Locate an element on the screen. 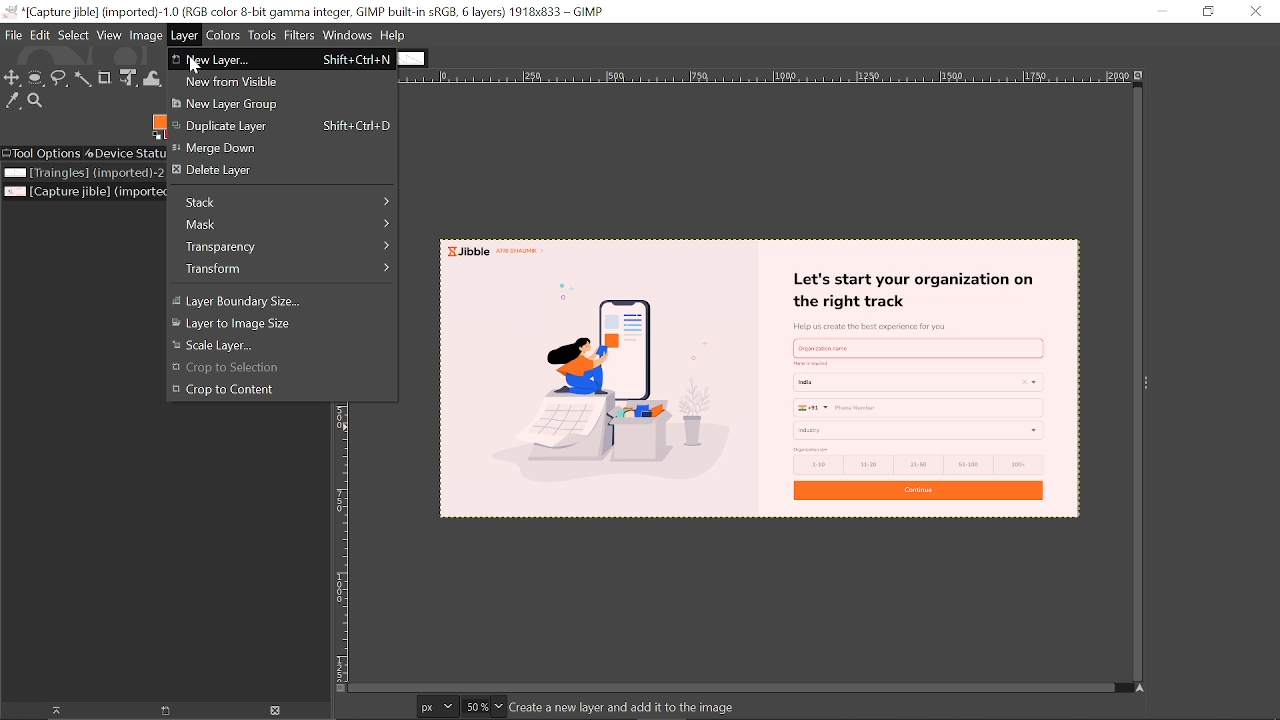  Unified transform tool is located at coordinates (128, 78).